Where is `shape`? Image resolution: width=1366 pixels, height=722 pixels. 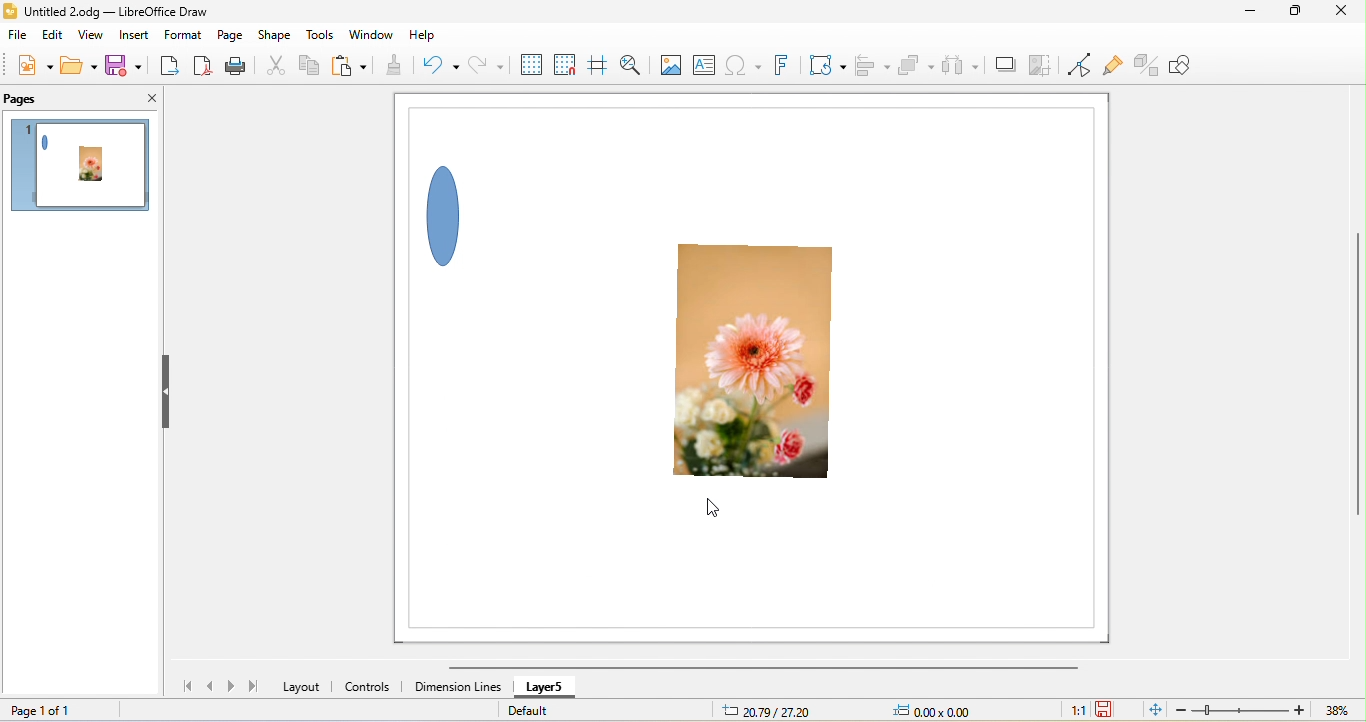 shape is located at coordinates (450, 212).